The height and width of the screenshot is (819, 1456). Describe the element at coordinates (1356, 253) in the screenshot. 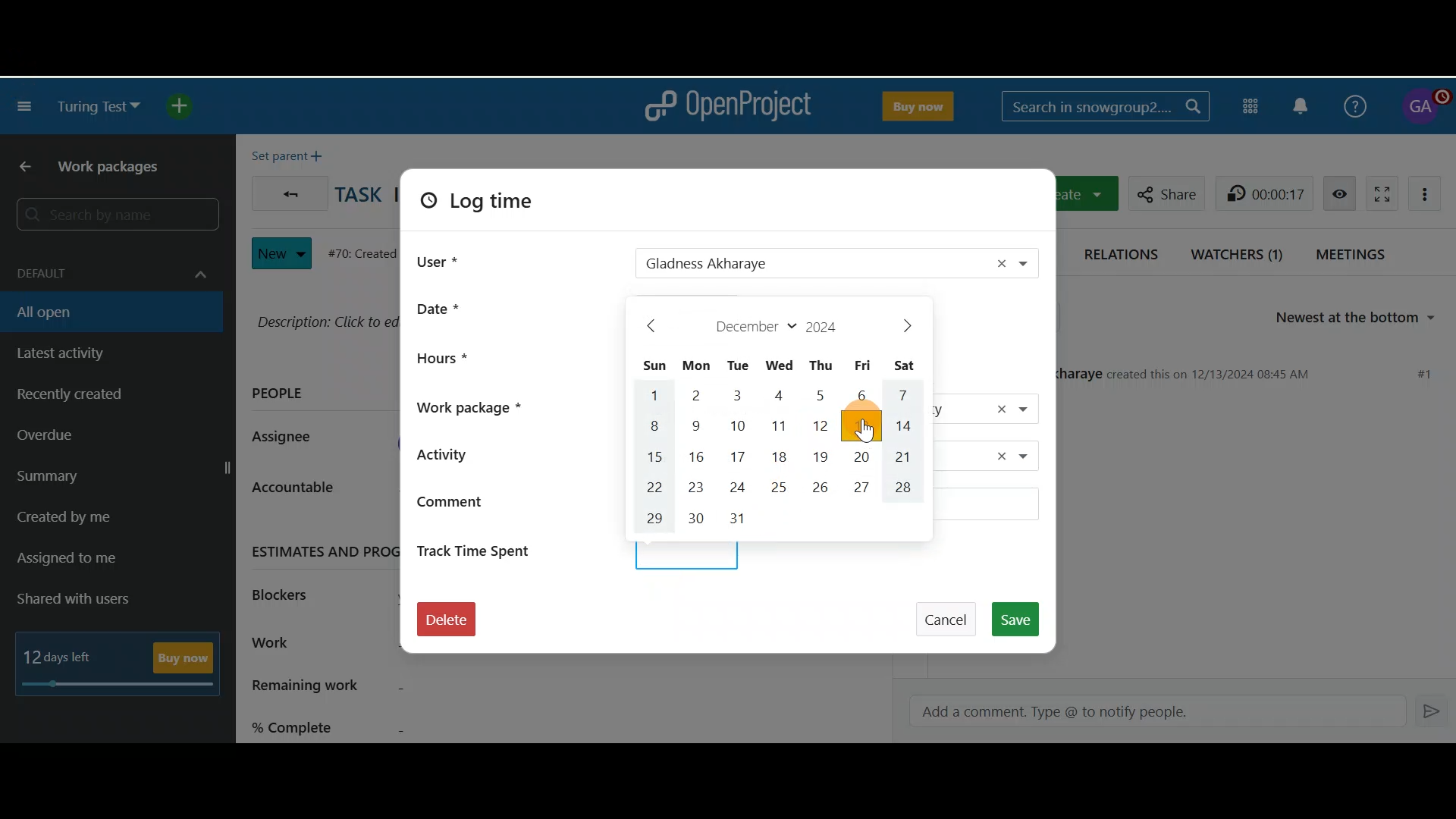

I see `Meetings` at that location.